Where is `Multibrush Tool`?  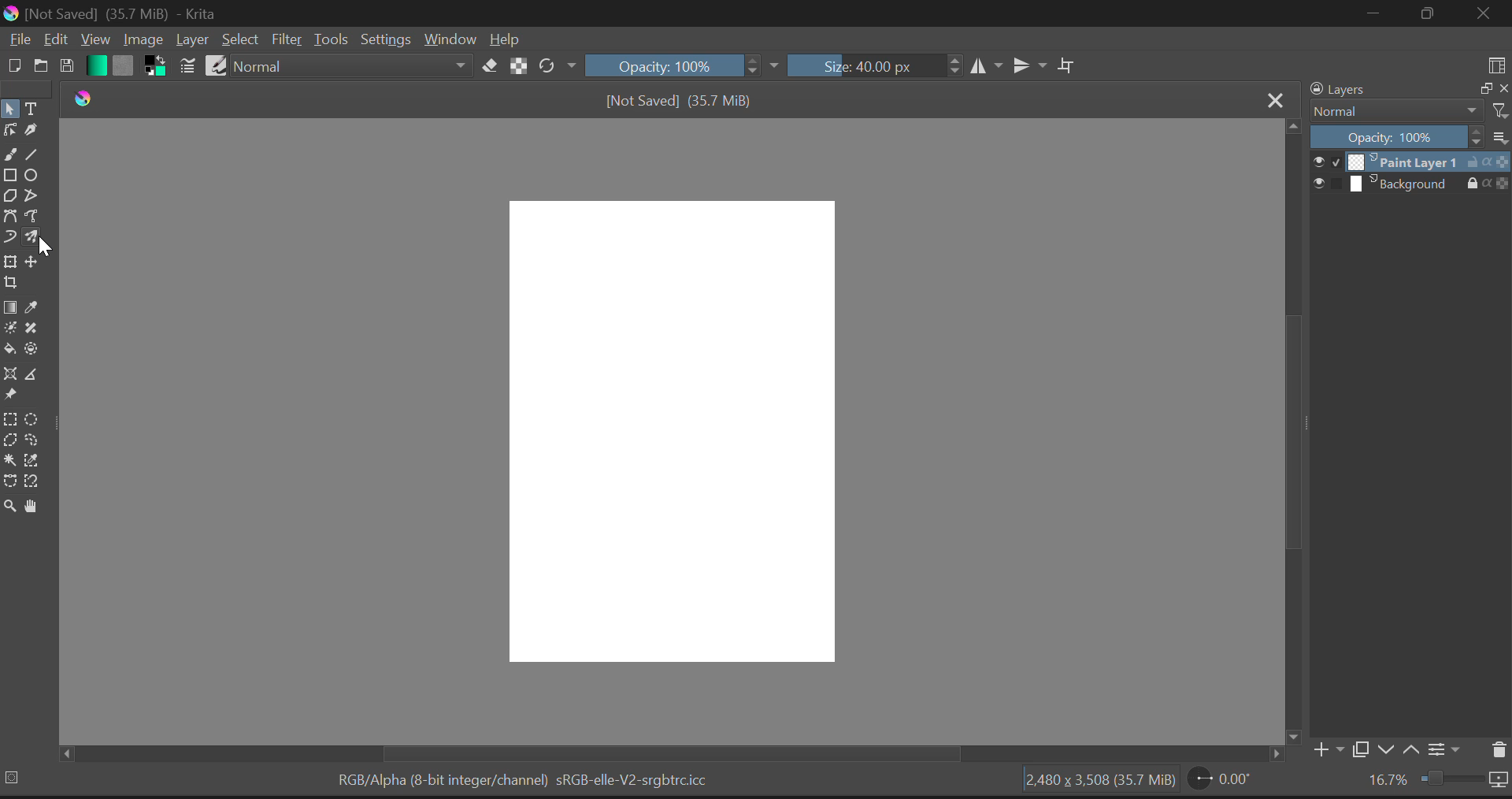
Multibrush Tool is located at coordinates (36, 239).